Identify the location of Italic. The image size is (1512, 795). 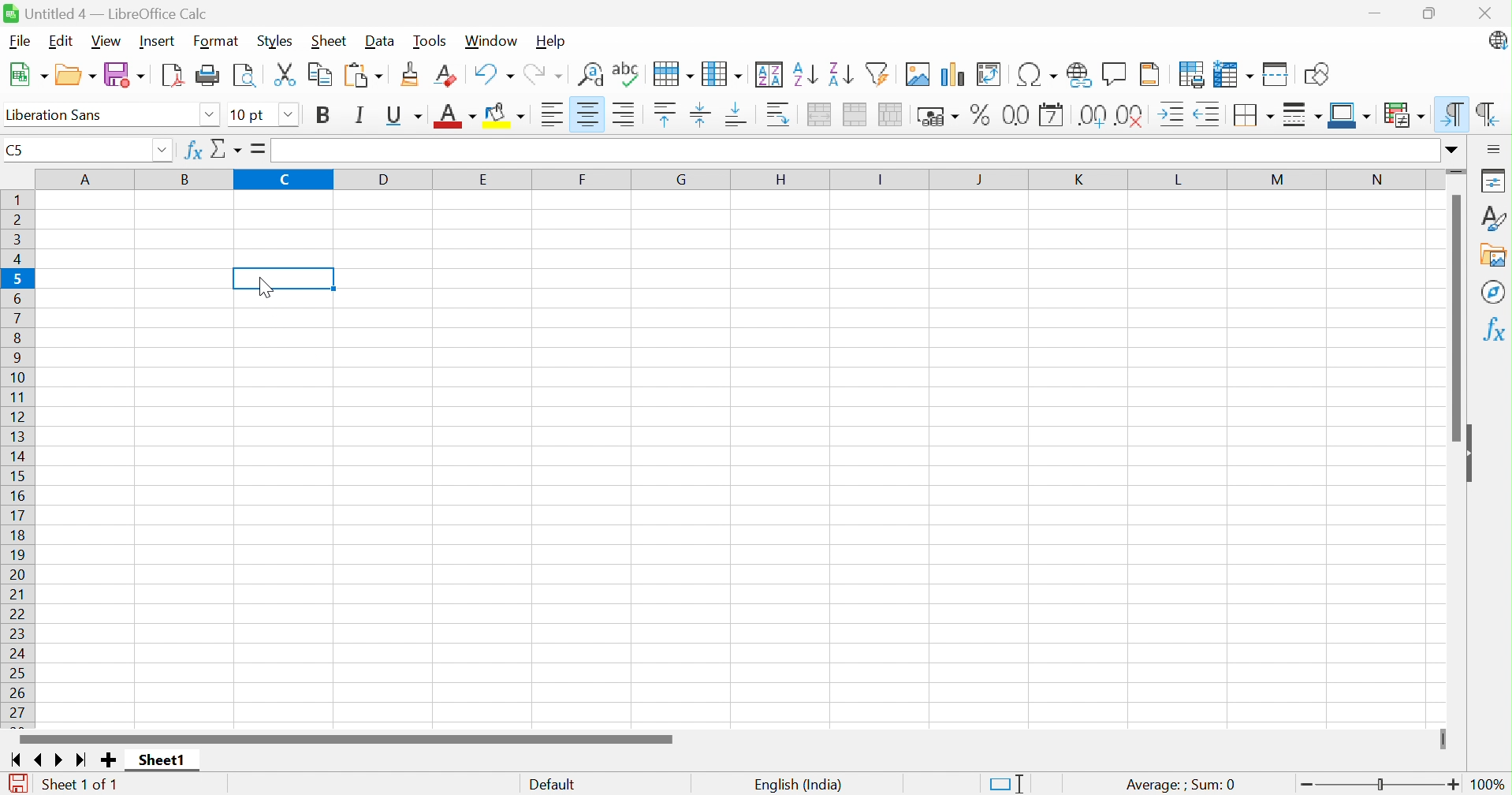
(362, 114).